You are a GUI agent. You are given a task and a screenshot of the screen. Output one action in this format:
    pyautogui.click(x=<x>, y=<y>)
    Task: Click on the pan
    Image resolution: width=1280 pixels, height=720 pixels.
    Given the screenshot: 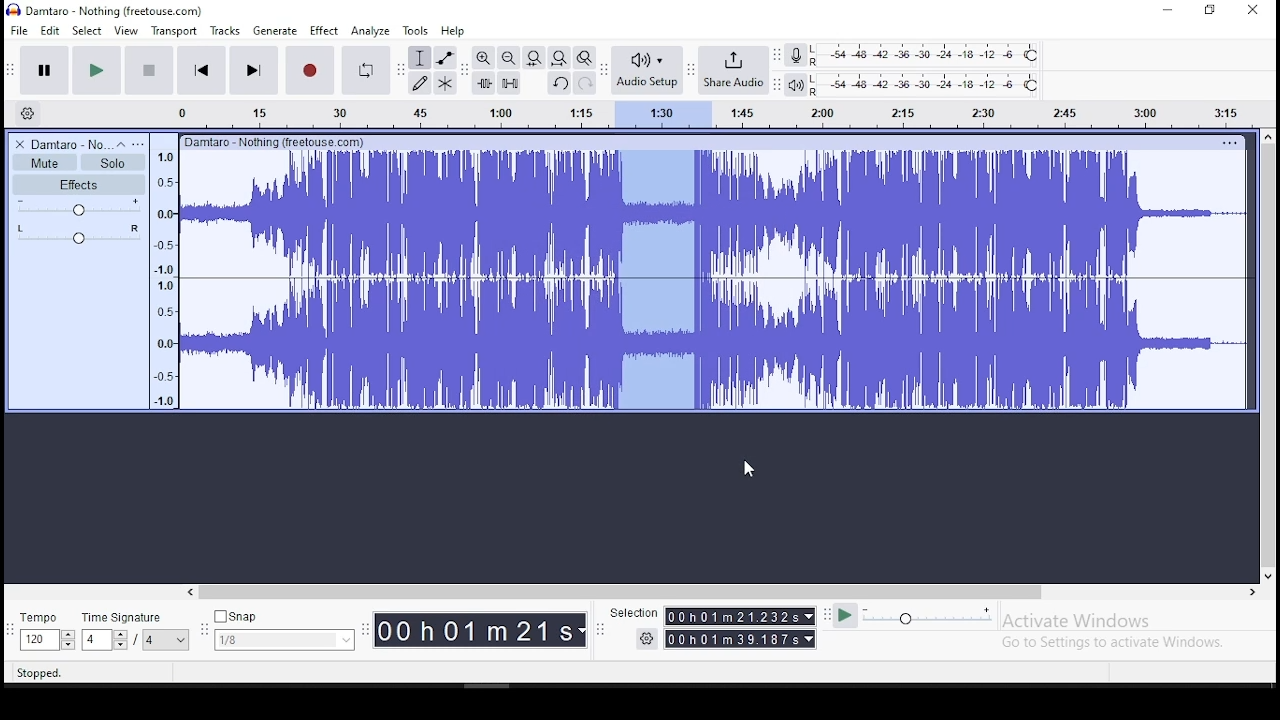 What is the action you would take?
    pyautogui.click(x=79, y=234)
    